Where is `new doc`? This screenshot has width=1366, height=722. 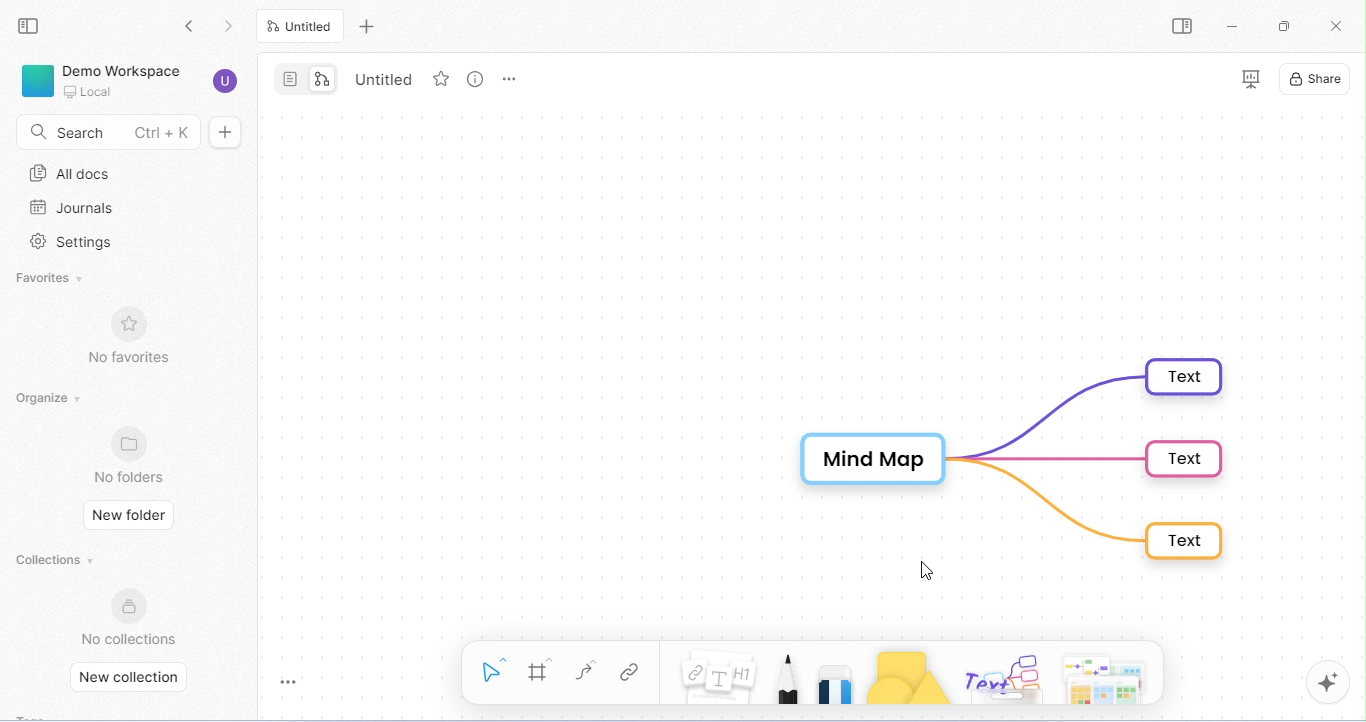
new doc is located at coordinates (234, 132).